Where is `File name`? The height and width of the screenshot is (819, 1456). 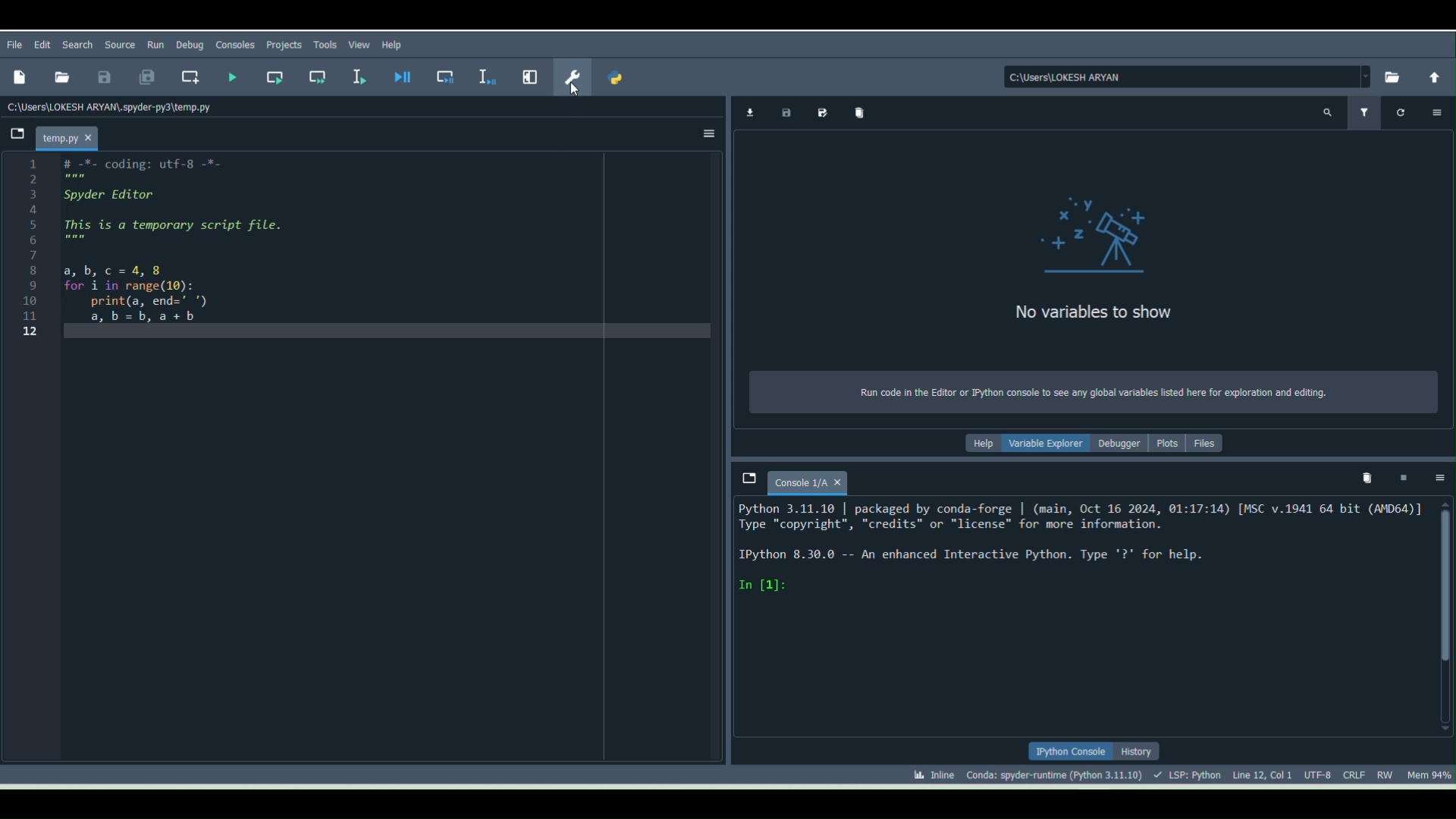 File name is located at coordinates (71, 136).